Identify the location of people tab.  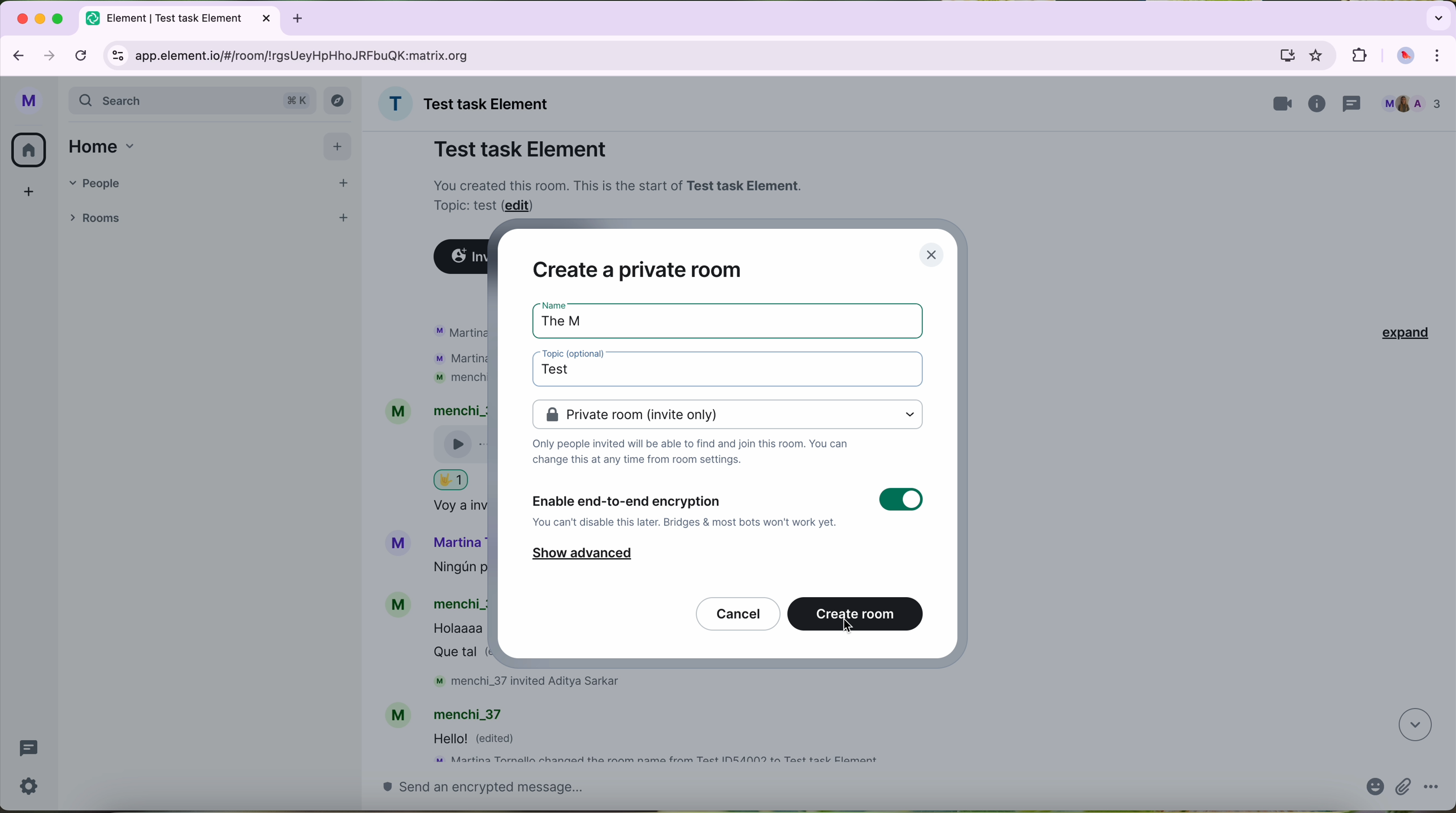
(211, 182).